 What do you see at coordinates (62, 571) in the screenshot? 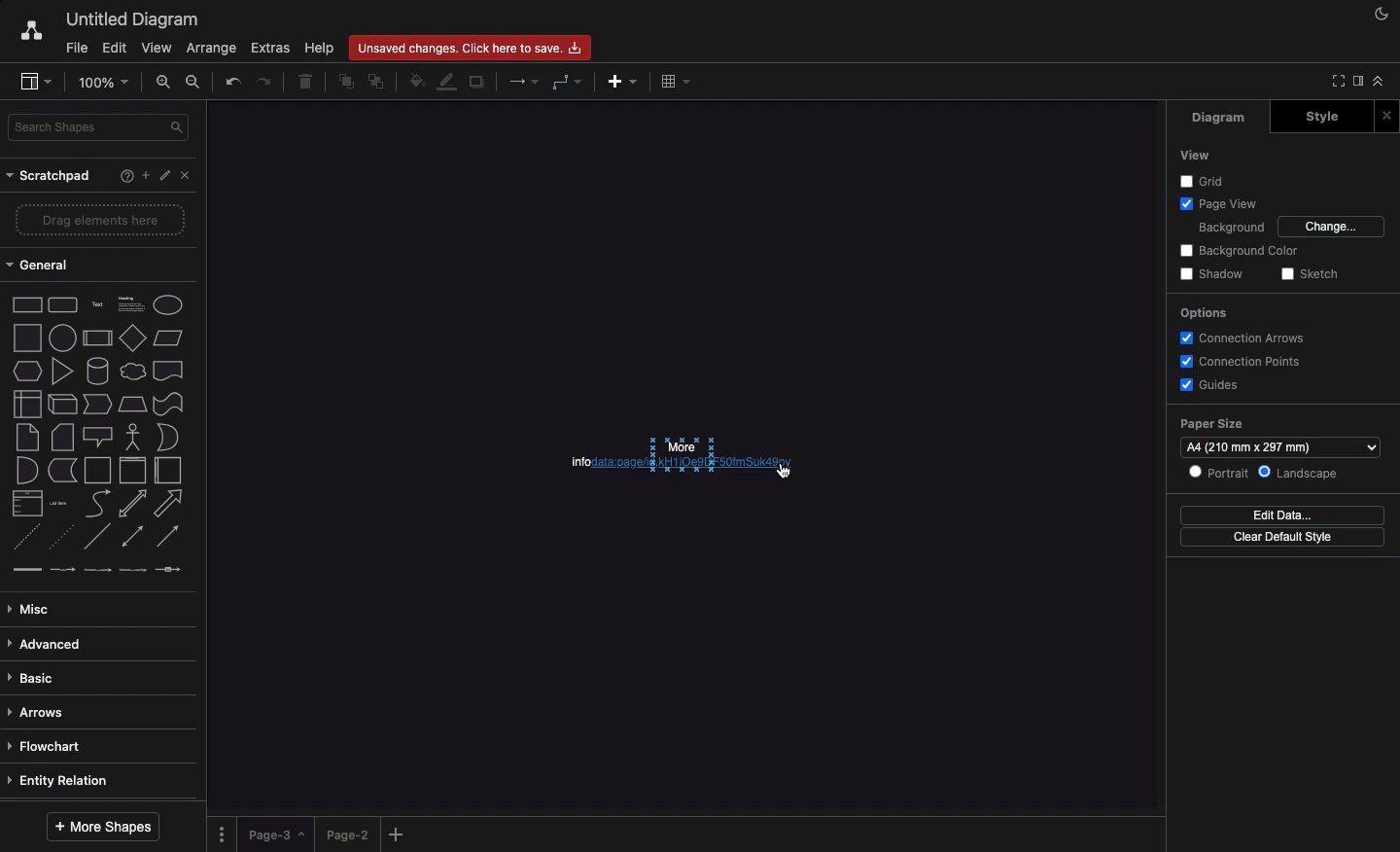
I see `connector with label` at bounding box center [62, 571].